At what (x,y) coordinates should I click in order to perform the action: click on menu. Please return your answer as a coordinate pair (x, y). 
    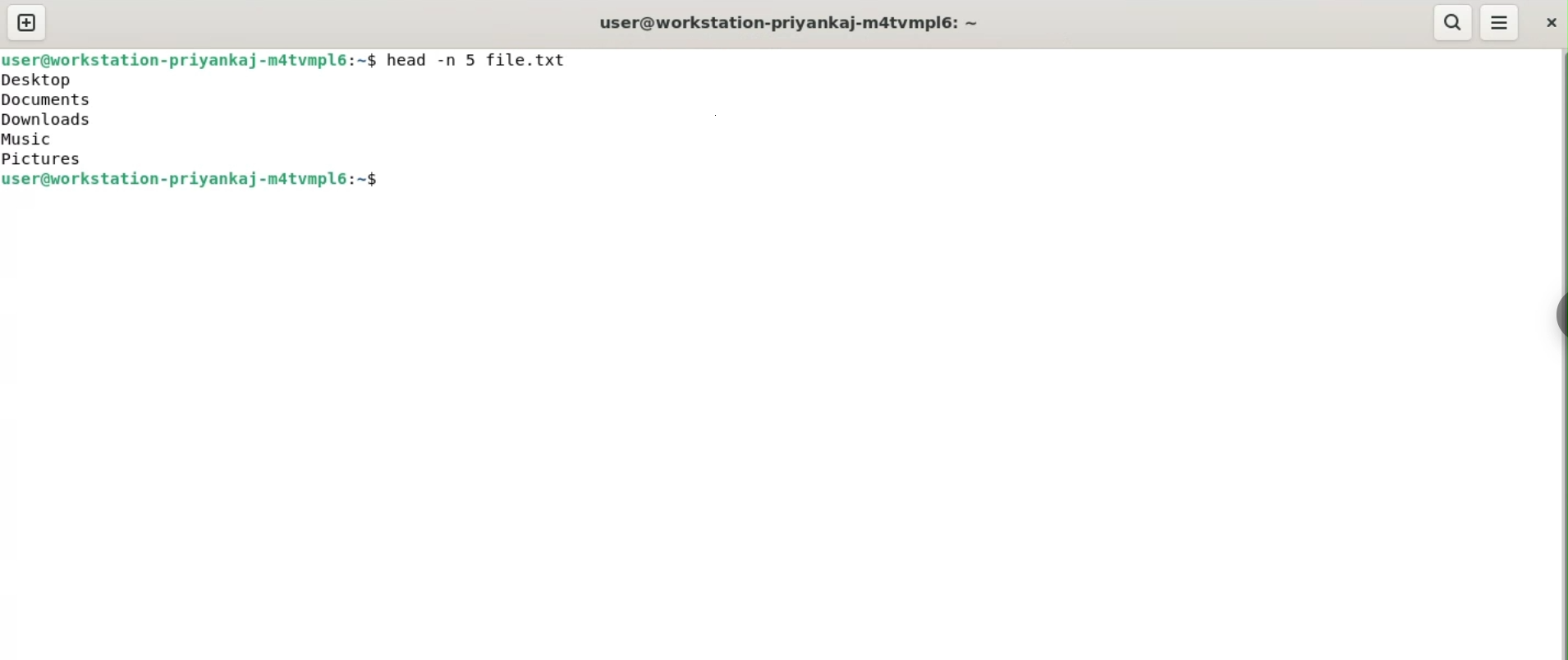
    Looking at the image, I should click on (1498, 24).